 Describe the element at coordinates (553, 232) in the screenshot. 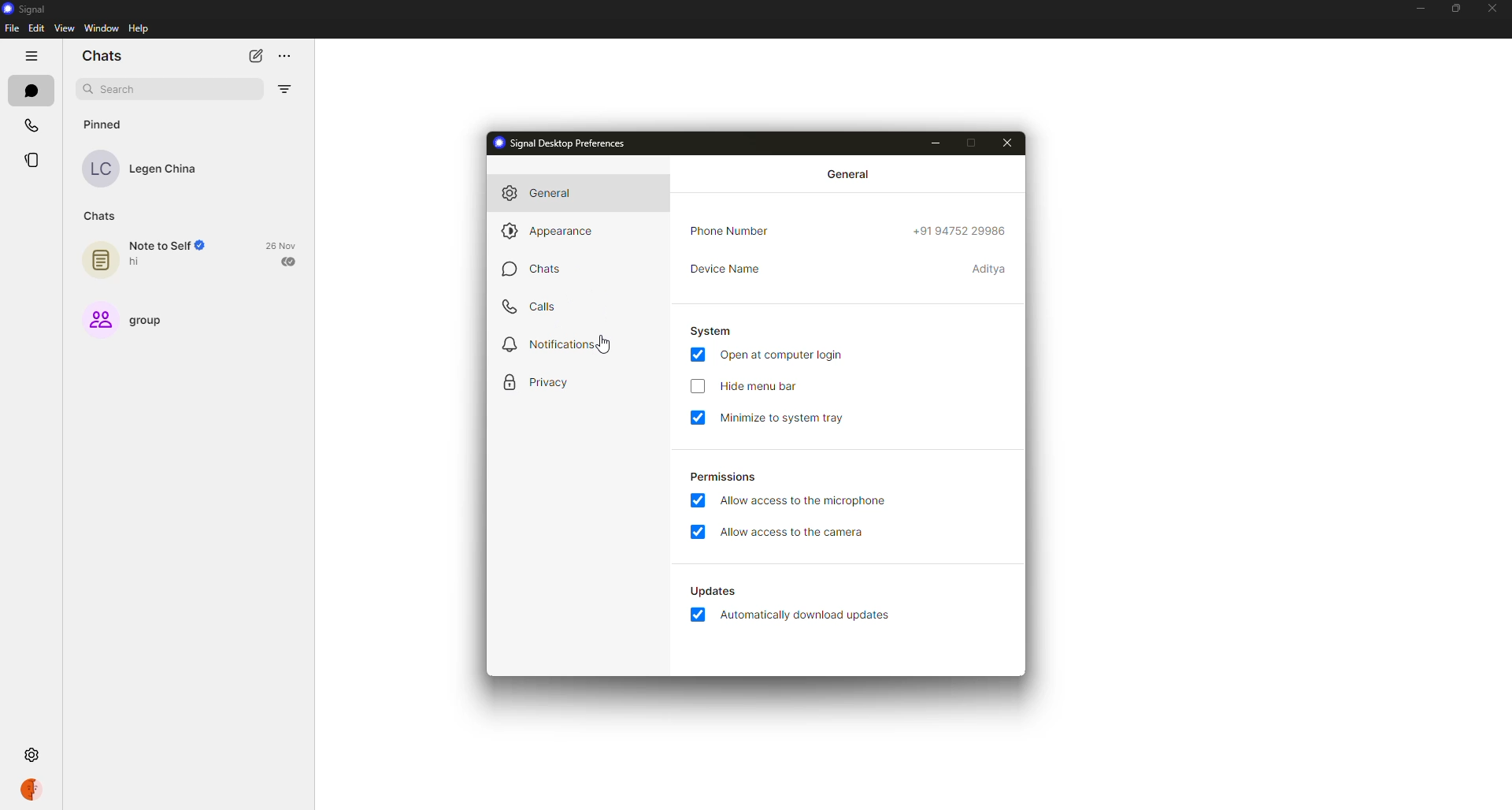

I see `appearance` at that location.